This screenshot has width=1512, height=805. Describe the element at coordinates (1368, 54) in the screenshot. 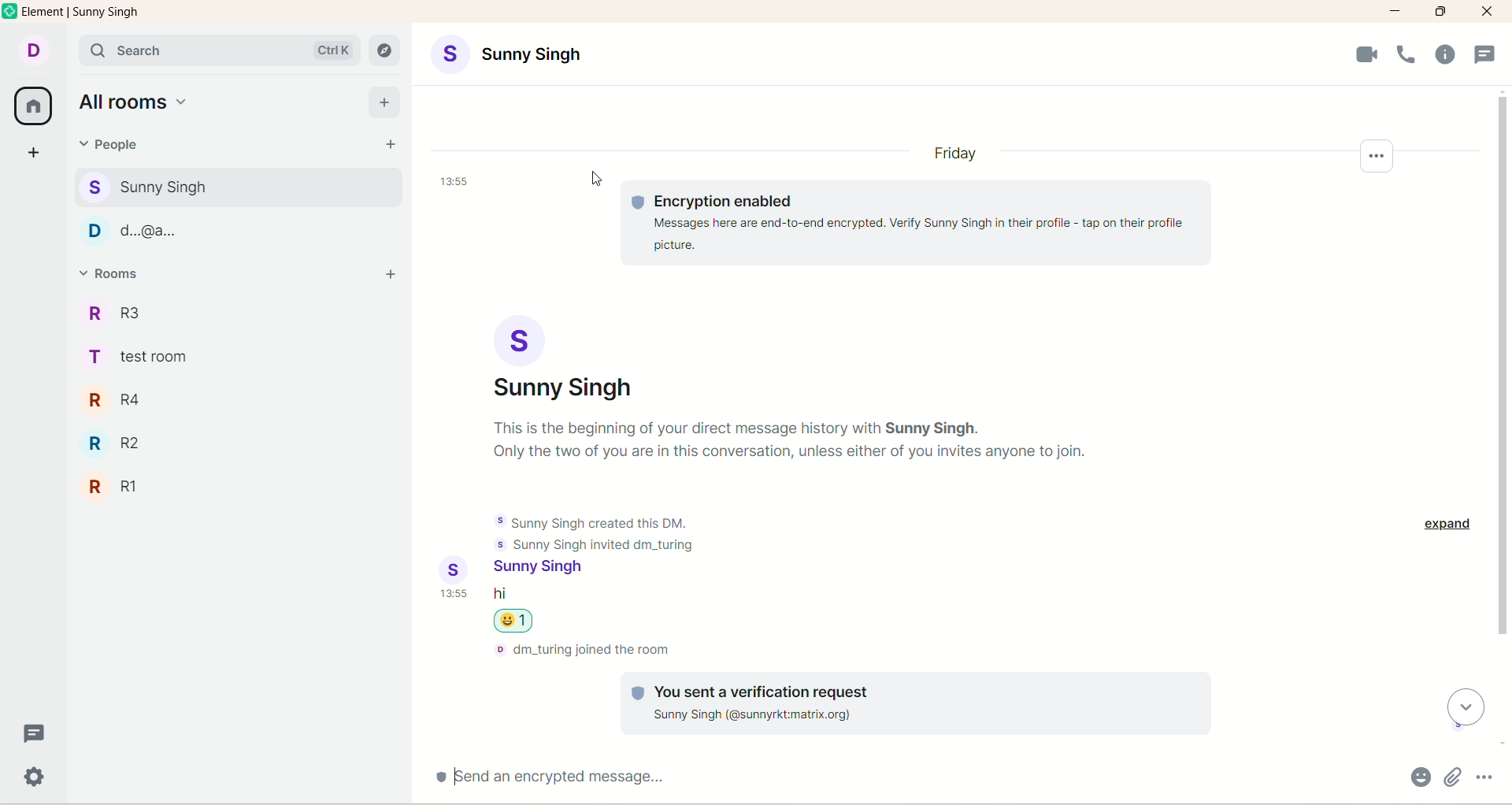

I see `video call` at that location.